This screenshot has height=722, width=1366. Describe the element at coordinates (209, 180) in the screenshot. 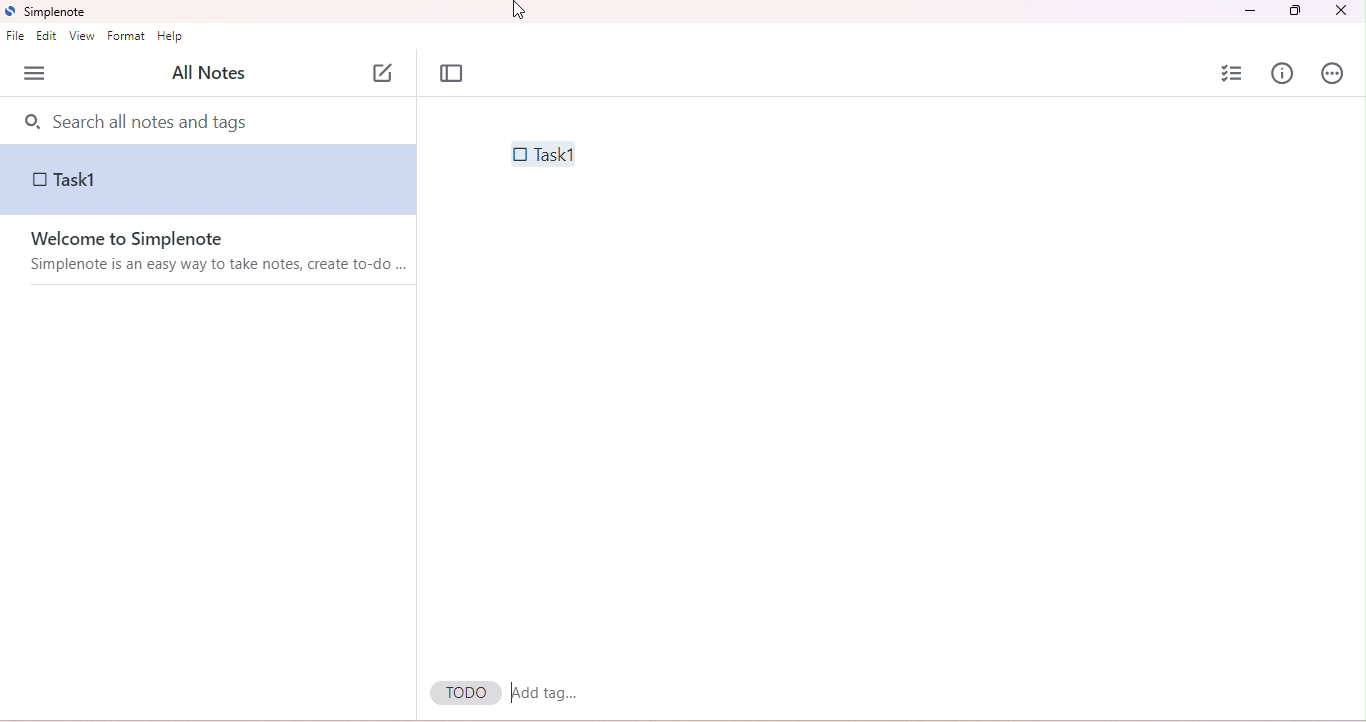

I see `note` at that location.